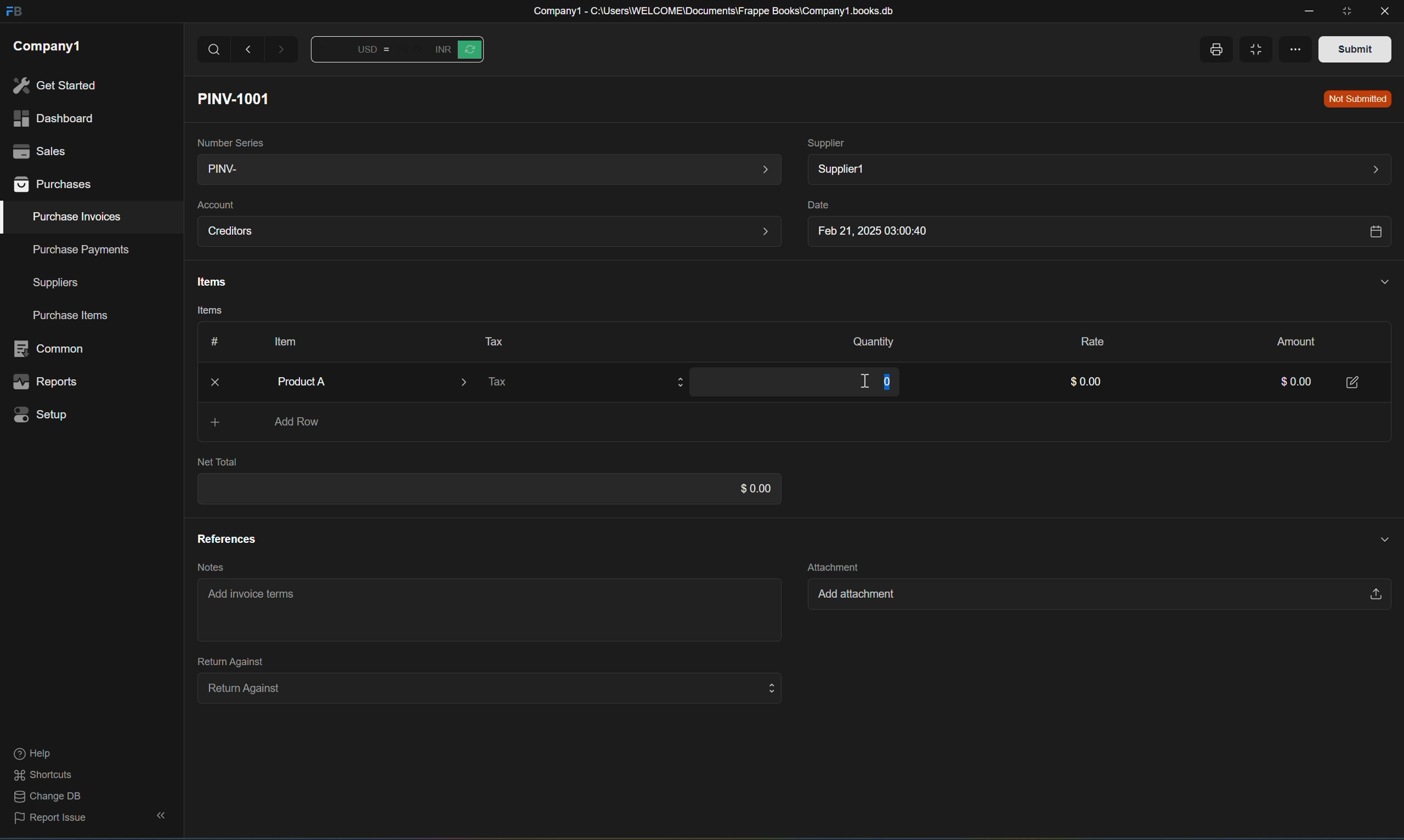 This screenshot has height=840, width=1404. Describe the element at coordinates (73, 316) in the screenshot. I see `purchase items` at that location.